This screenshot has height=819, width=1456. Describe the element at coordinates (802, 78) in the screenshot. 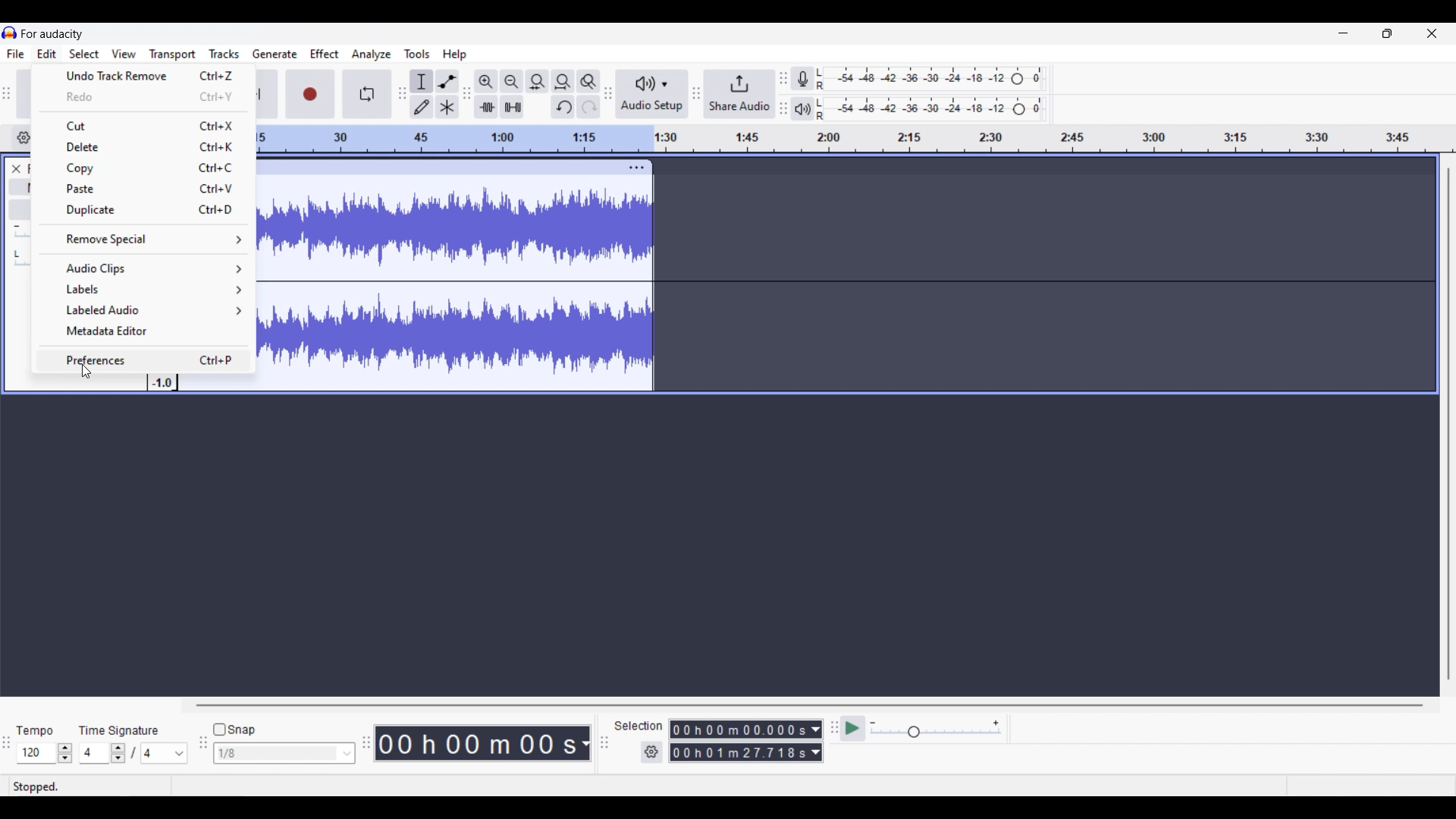

I see `Record meter` at that location.